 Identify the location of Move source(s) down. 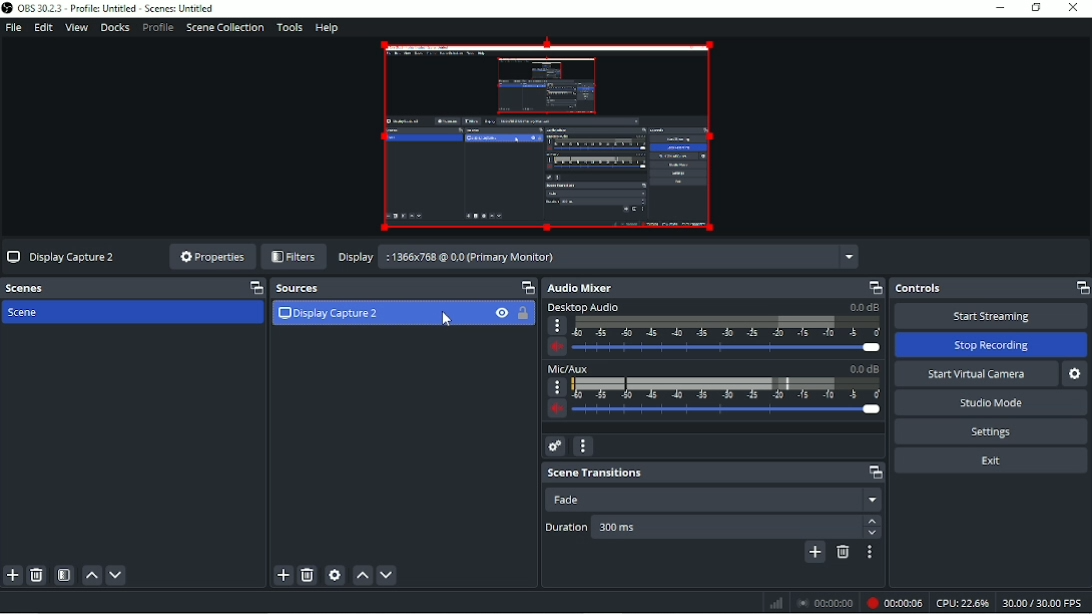
(387, 576).